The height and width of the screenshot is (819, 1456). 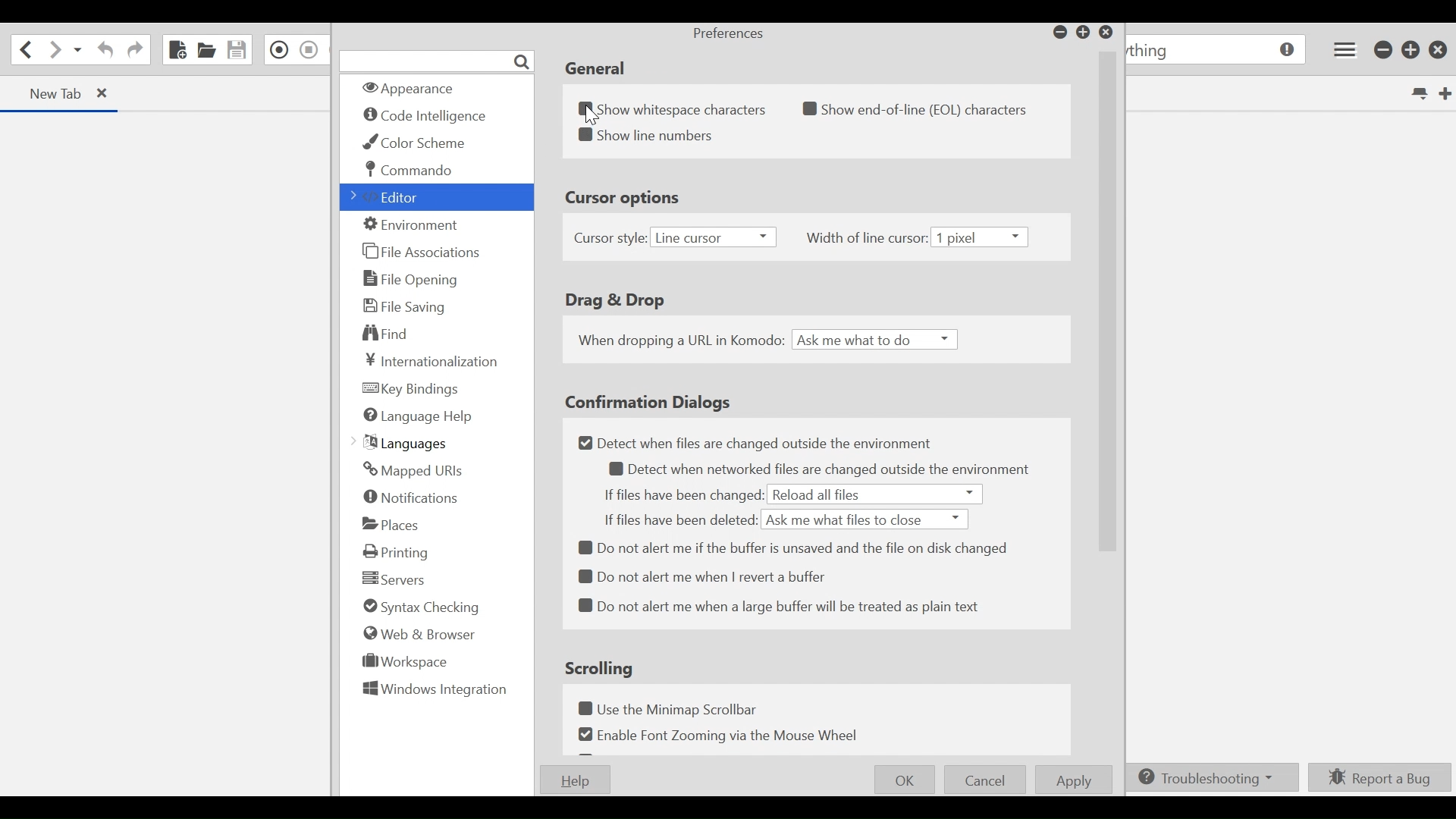 I want to click on When dropping a URL in Komodo:, so click(x=679, y=340).